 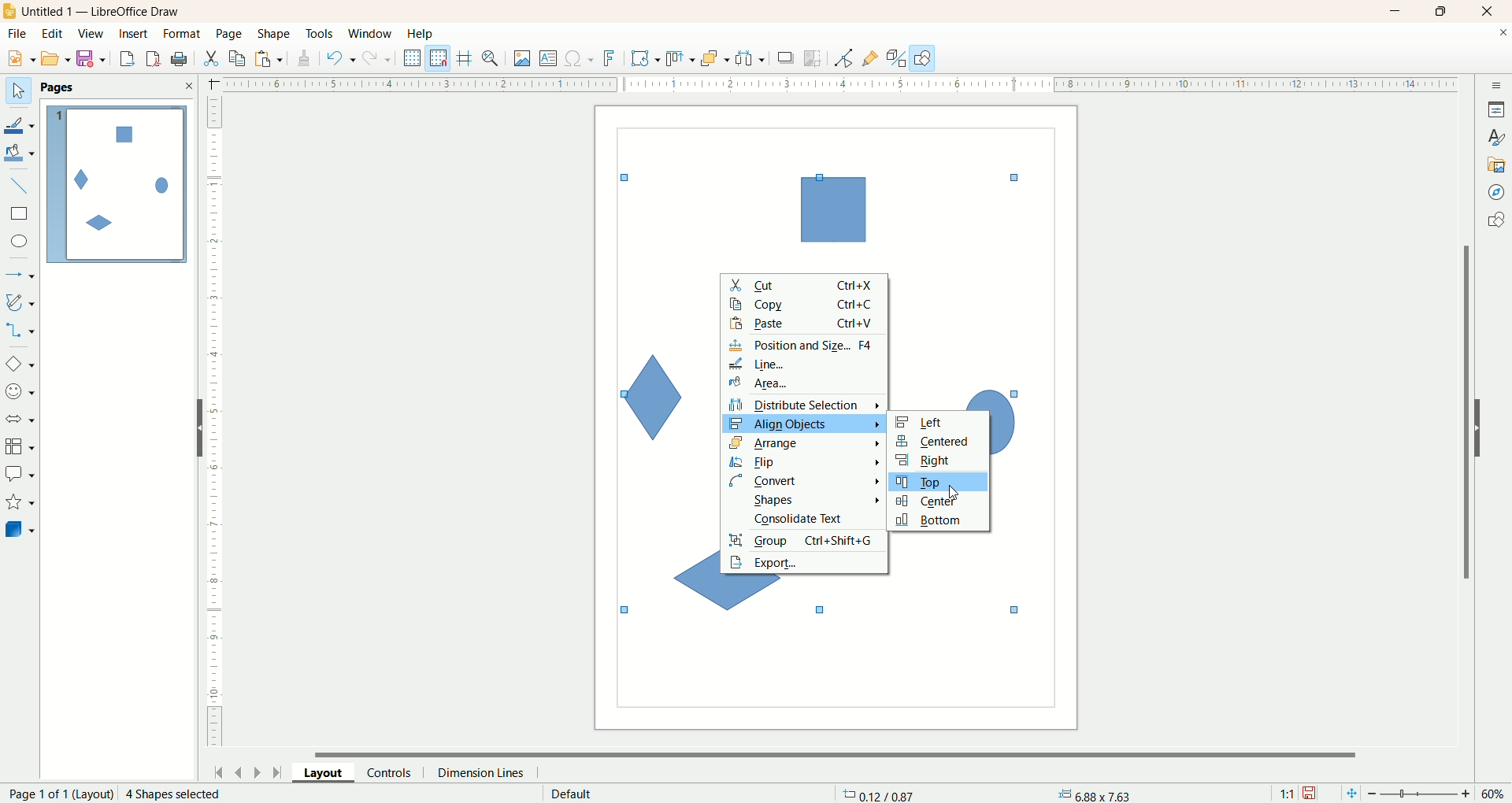 What do you see at coordinates (523, 59) in the screenshot?
I see `insert image` at bounding box center [523, 59].